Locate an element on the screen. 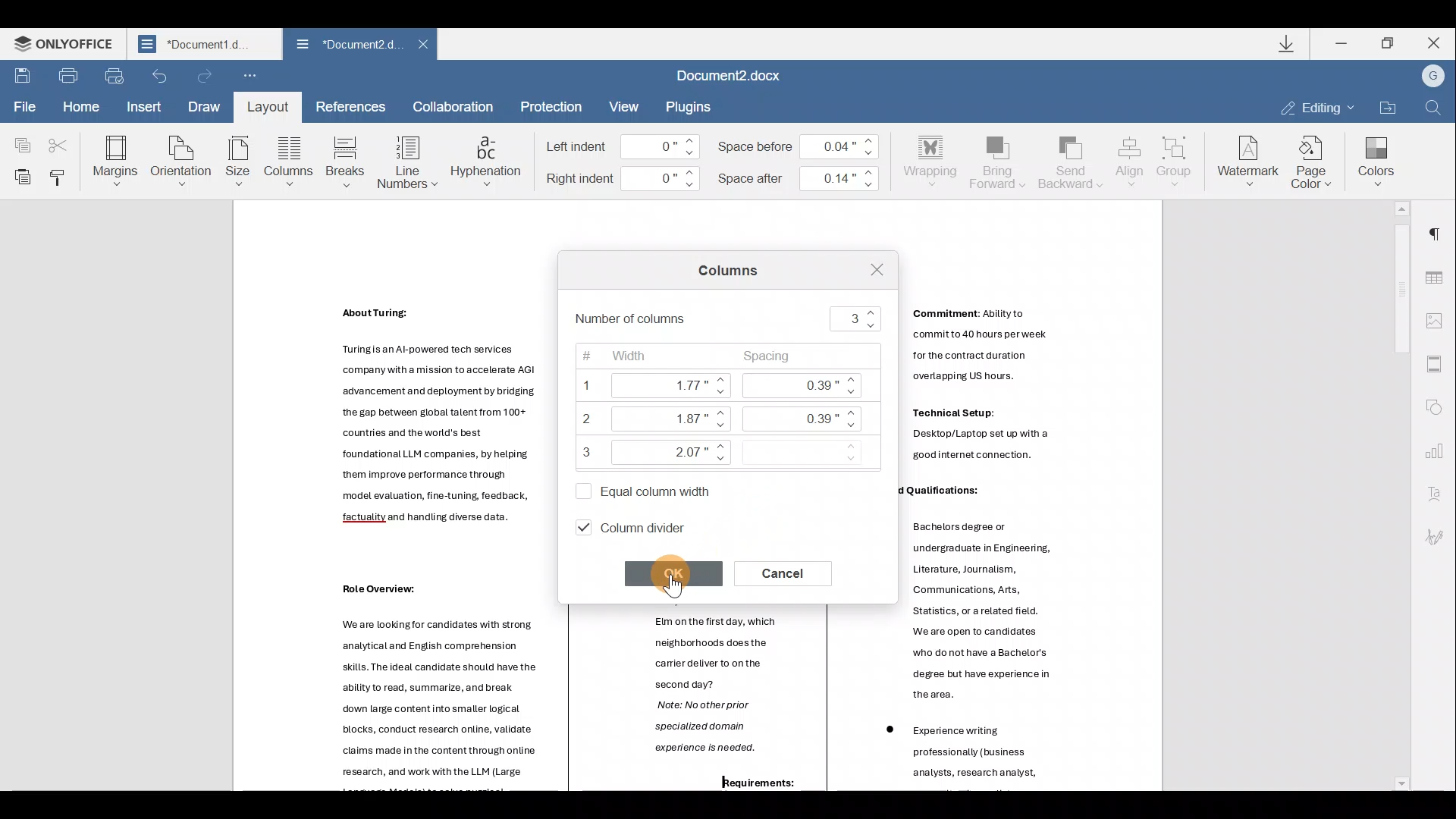  Copy style is located at coordinates (60, 174).